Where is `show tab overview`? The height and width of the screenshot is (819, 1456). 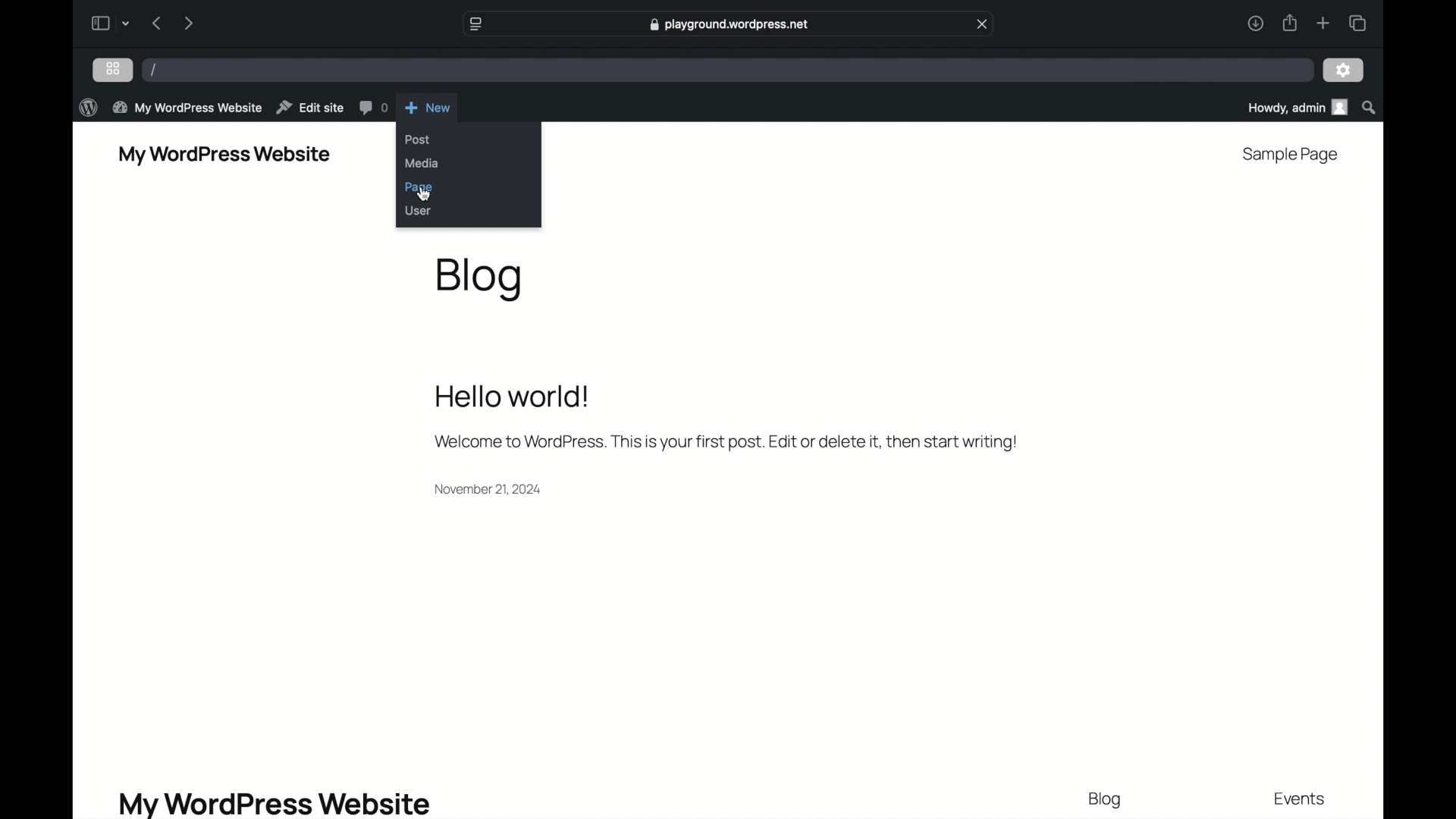
show tab overview is located at coordinates (1357, 22).